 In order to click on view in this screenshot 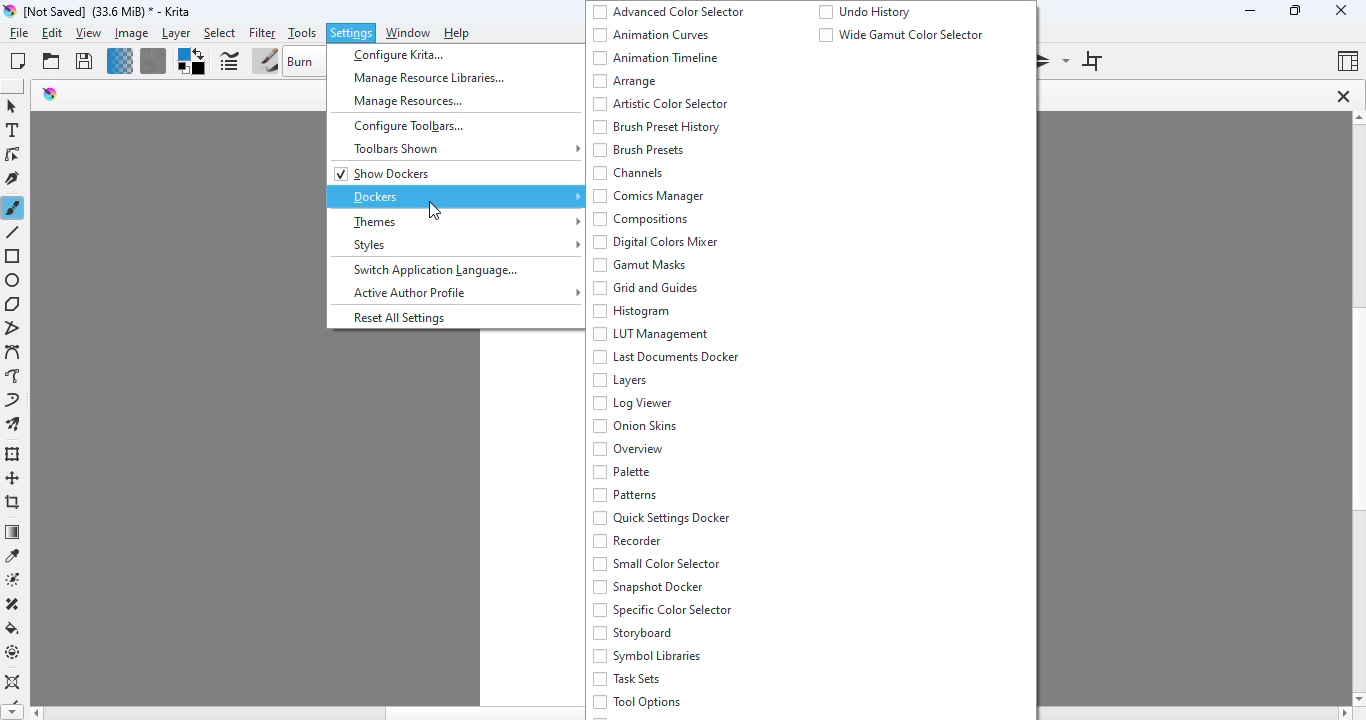, I will do `click(88, 34)`.